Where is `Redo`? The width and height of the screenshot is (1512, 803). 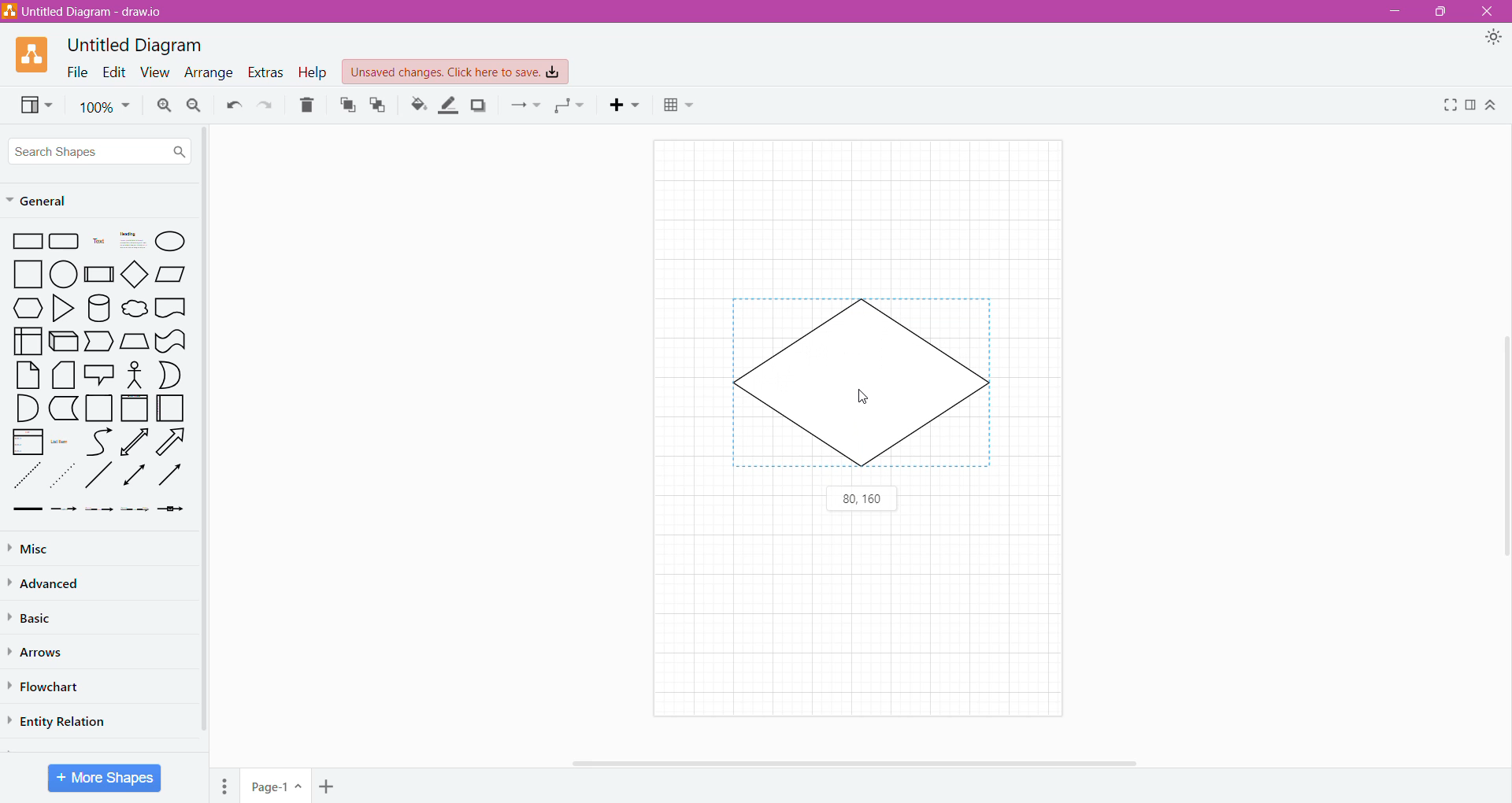
Redo is located at coordinates (267, 105).